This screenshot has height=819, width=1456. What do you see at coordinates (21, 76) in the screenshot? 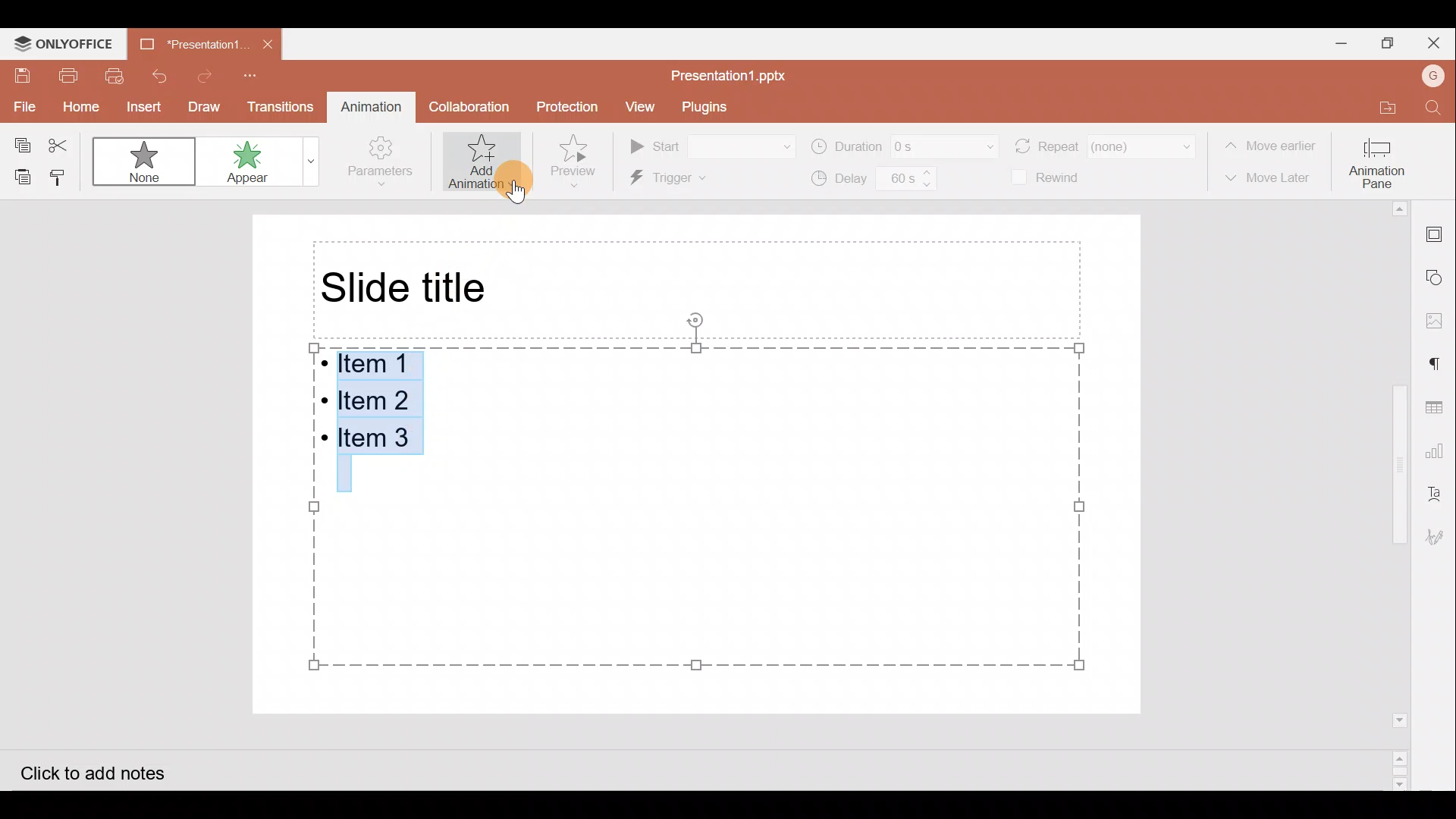
I see `Save` at bounding box center [21, 76].